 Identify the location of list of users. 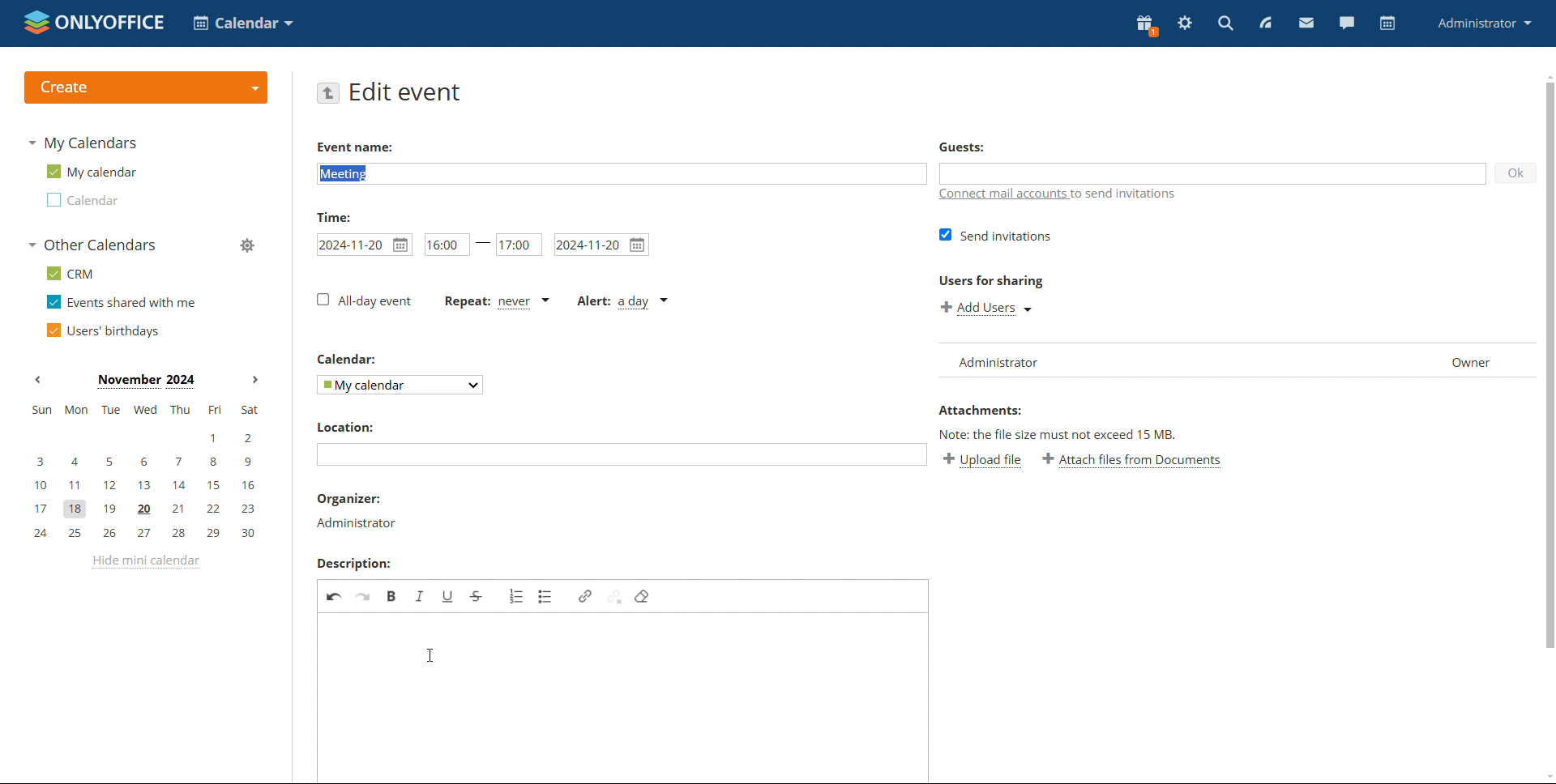
(1234, 360).